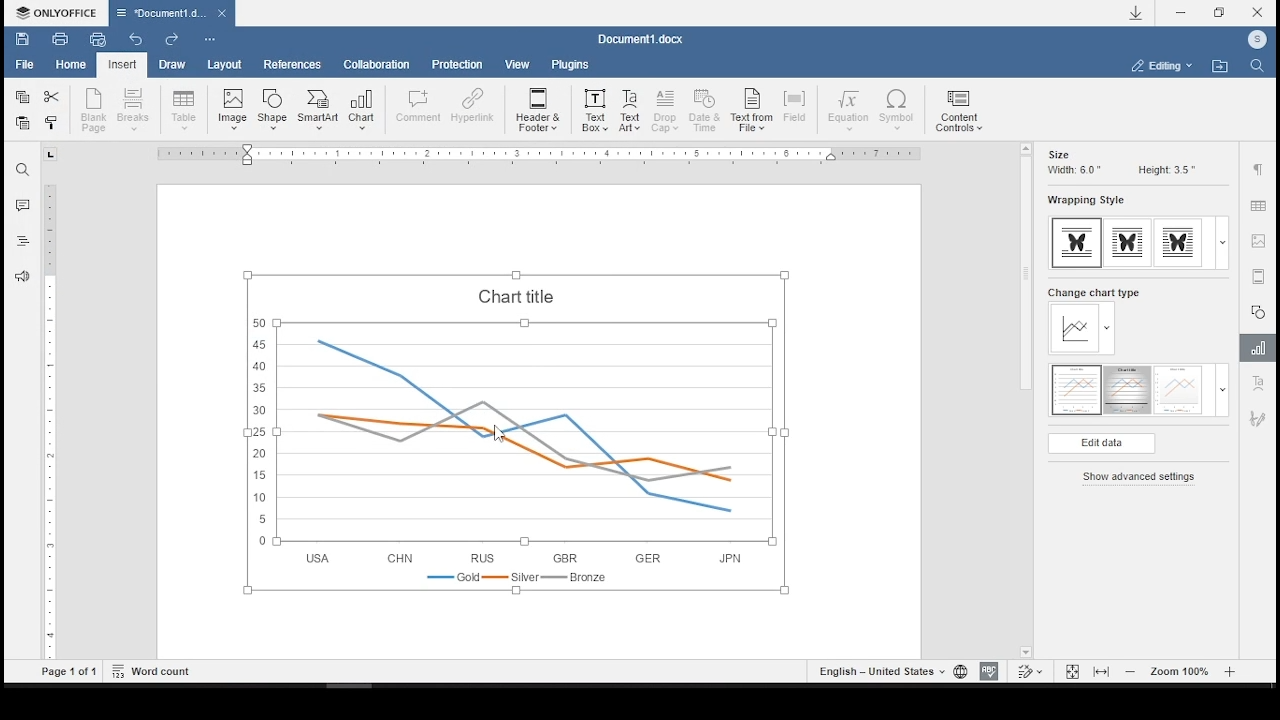 The image size is (1280, 720). What do you see at coordinates (1072, 671) in the screenshot?
I see `fit to page` at bounding box center [1072, 671].